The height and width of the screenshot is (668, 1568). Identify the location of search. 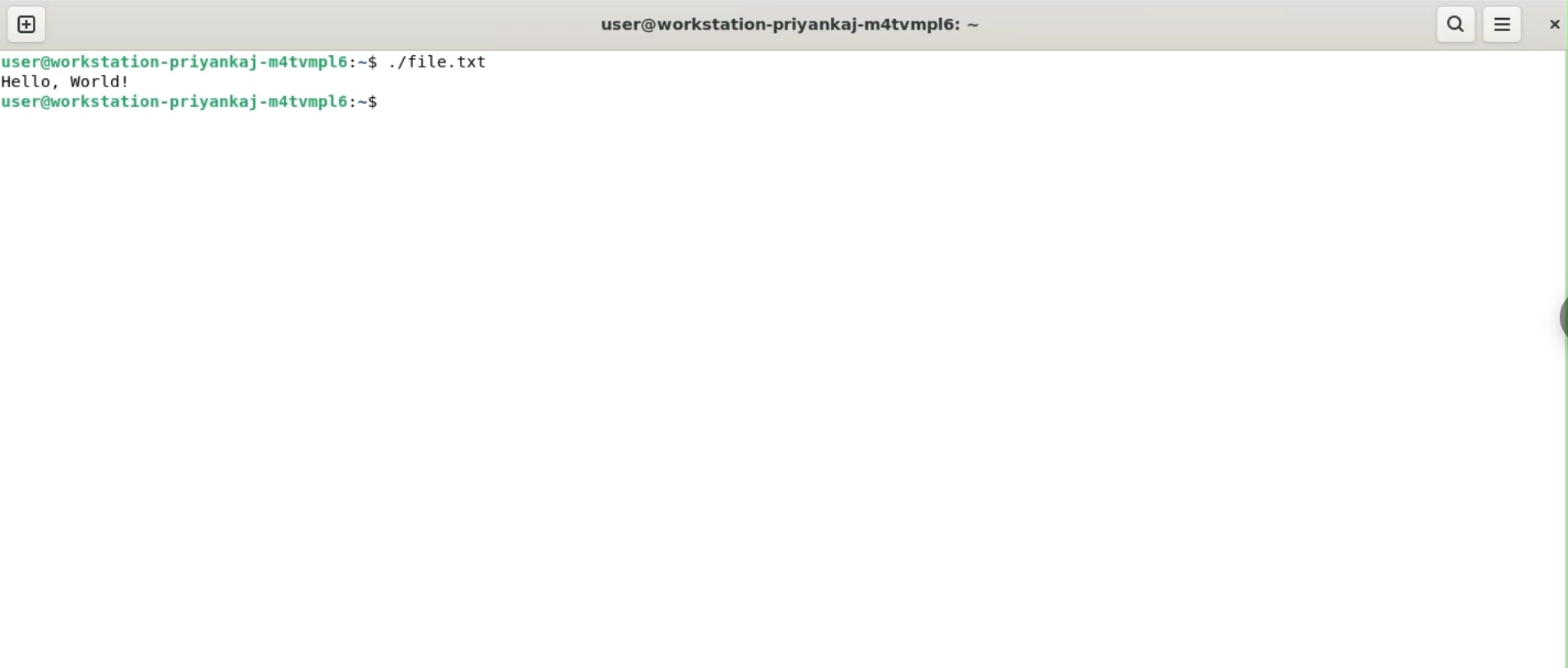
(1458, 25).